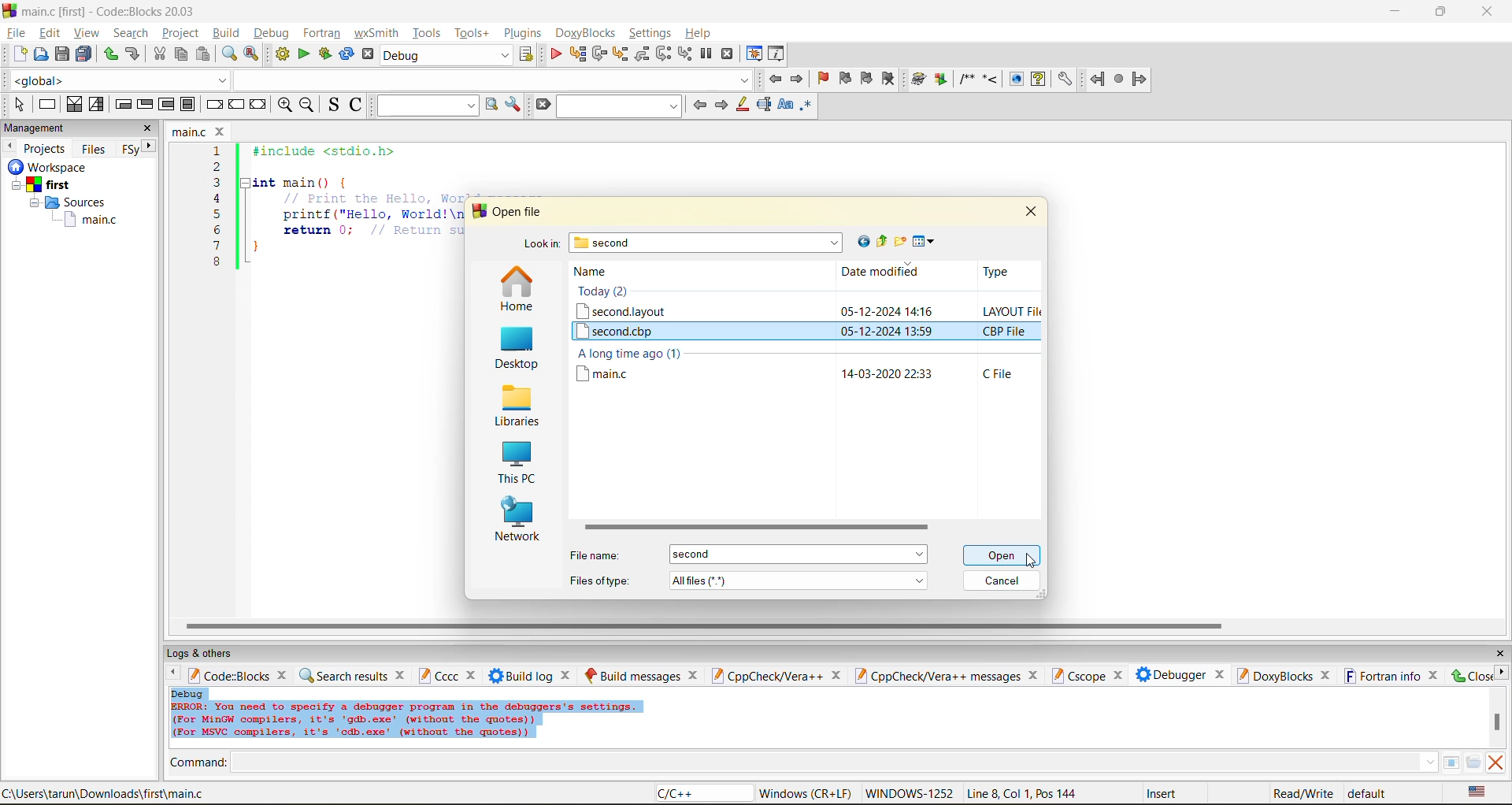  I want to click on show, so click(1014, 79).